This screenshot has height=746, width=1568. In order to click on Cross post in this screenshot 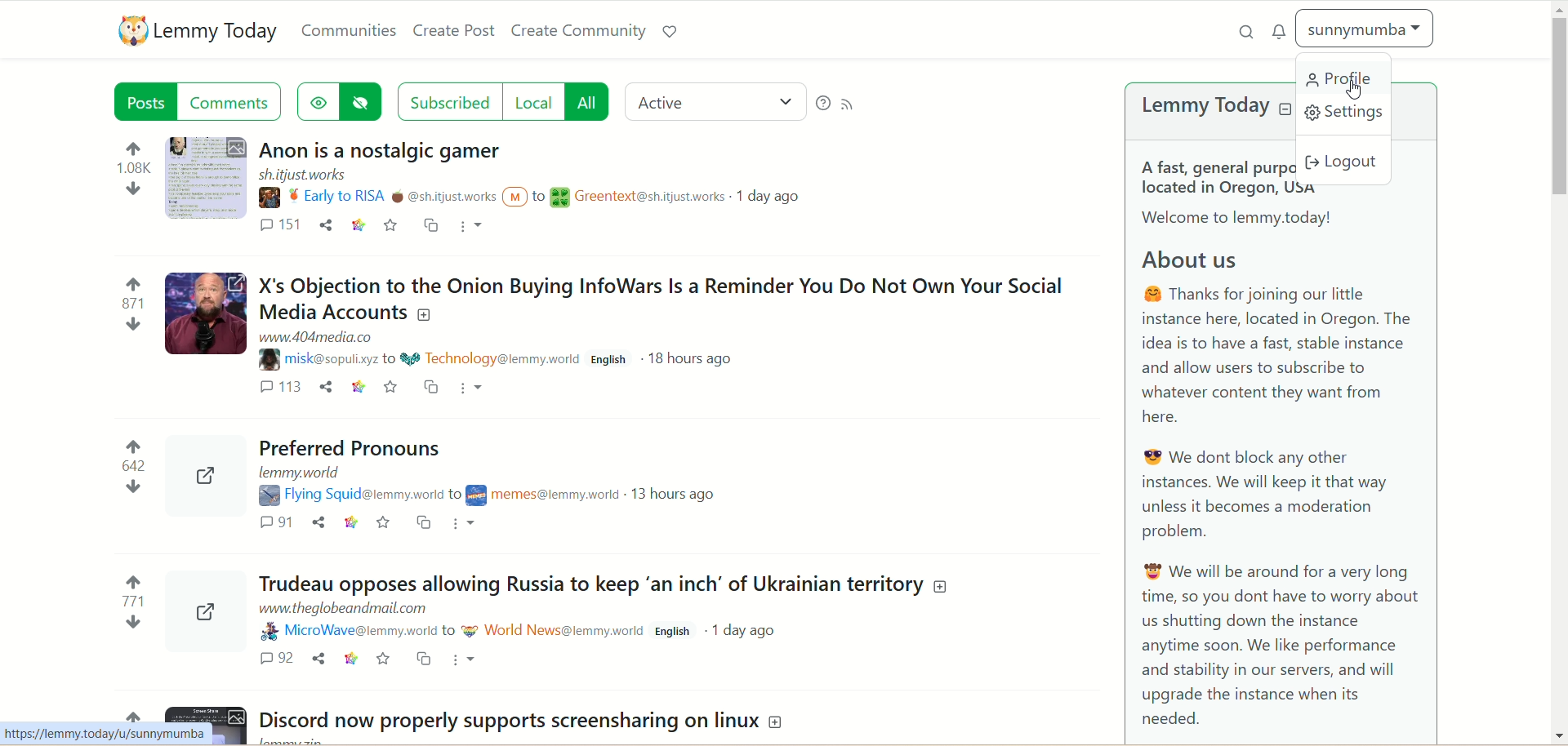, I will do `click(434, 386)`.